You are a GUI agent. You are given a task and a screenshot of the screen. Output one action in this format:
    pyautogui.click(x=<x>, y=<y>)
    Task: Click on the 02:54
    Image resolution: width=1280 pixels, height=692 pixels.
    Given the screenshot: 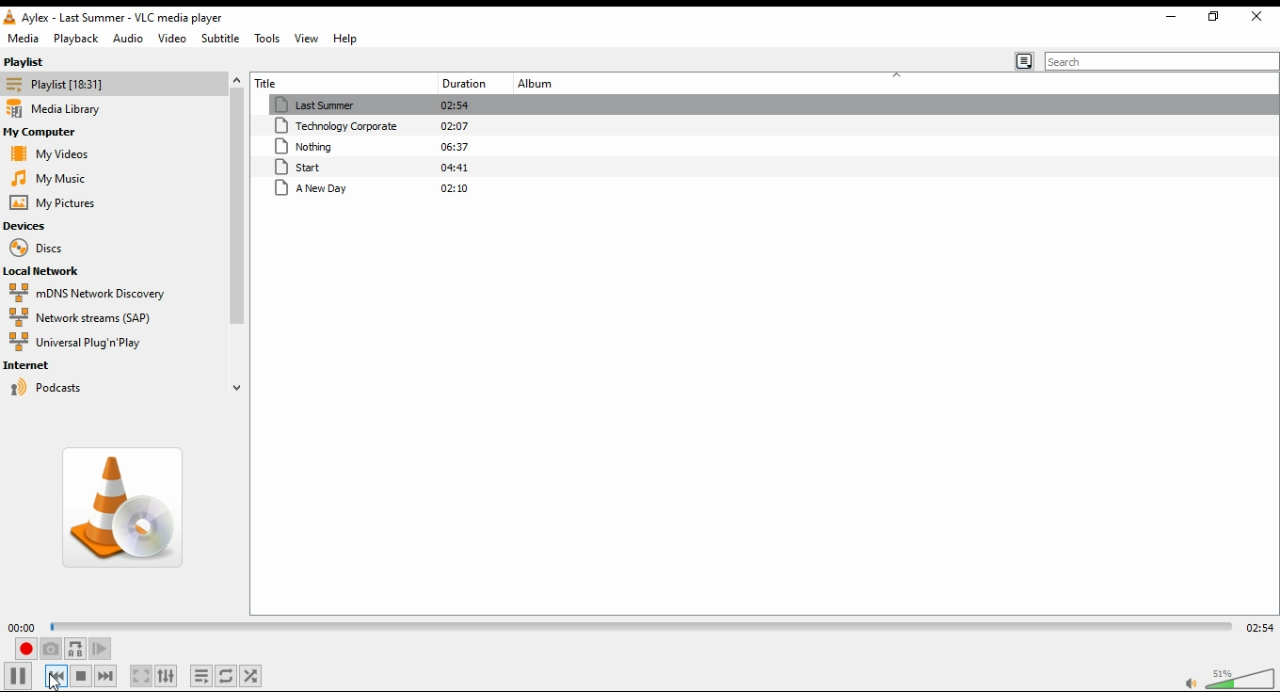 What is the action you would take?
    pyautogui.click(x=1259, y=628)
    